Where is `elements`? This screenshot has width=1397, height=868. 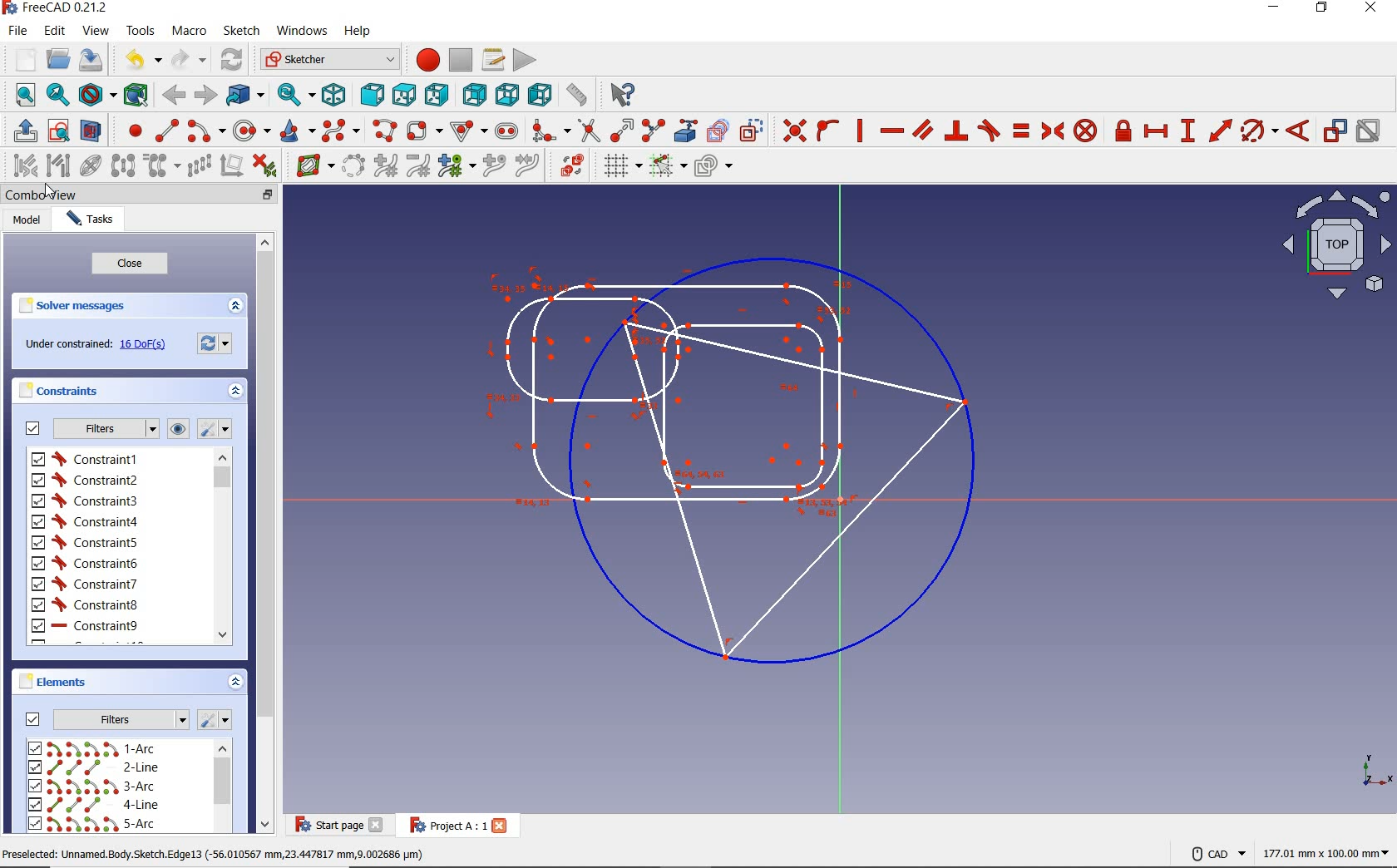 elements is located at coordinates (58, 683).